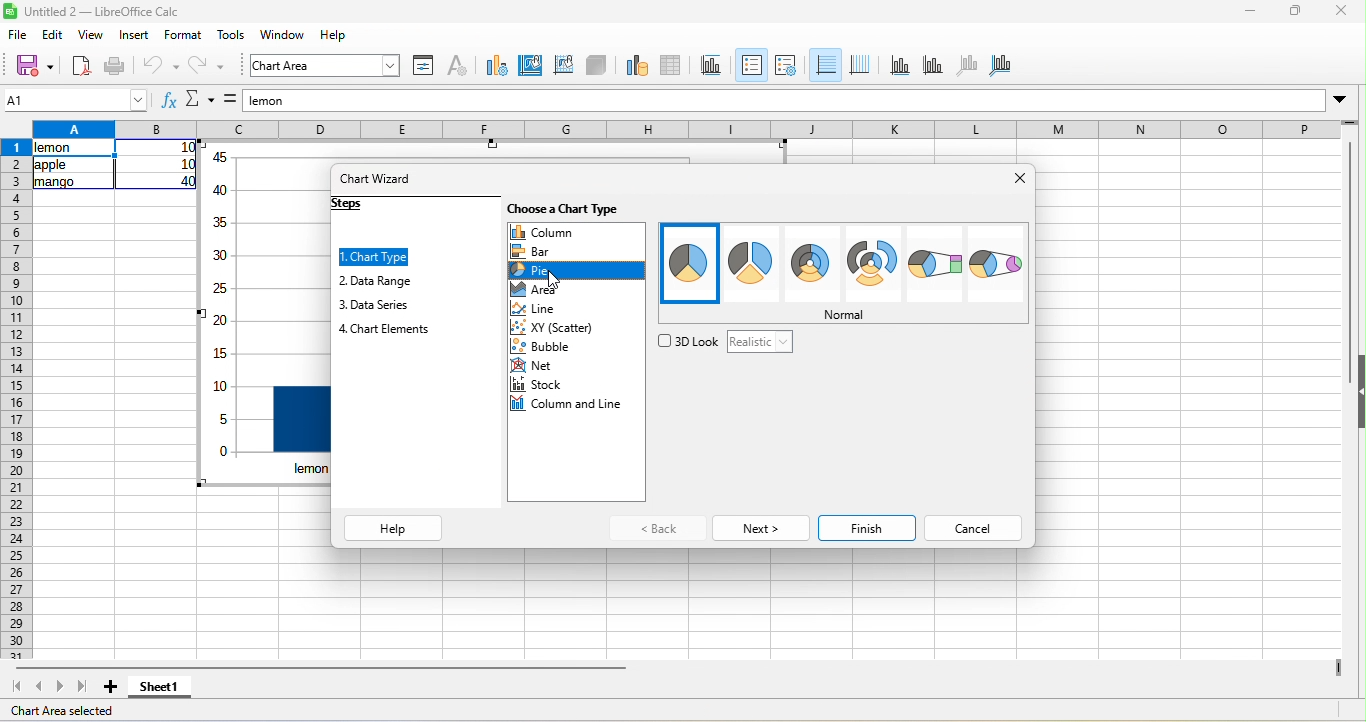  What do you see at coordinates (462, 64) in the screenshot?
I see `character` at bounding box center [462, 64].